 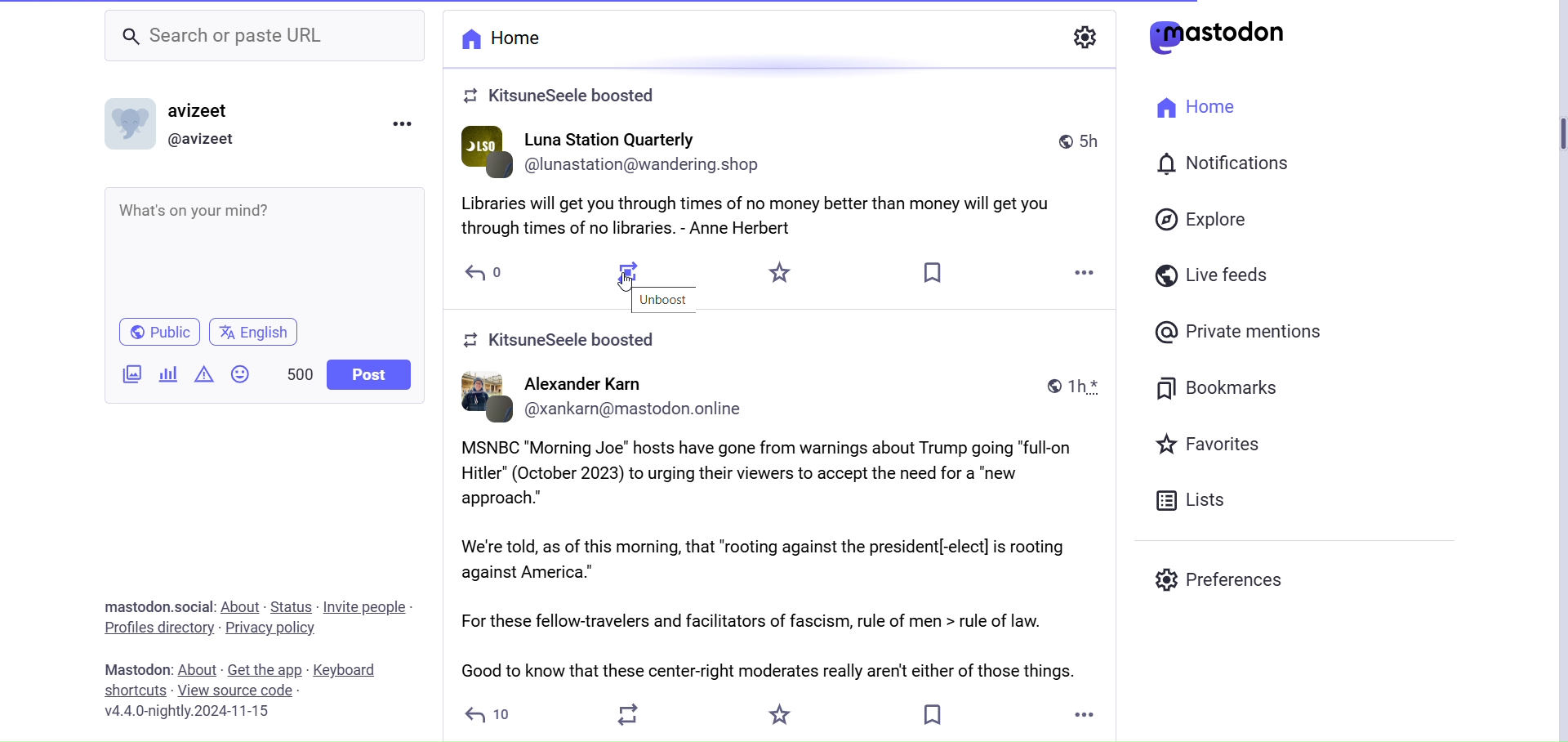 What do you see at coordinates (265, 37) in the screenshot?
I see `Search` at bounding box center [265, 37].